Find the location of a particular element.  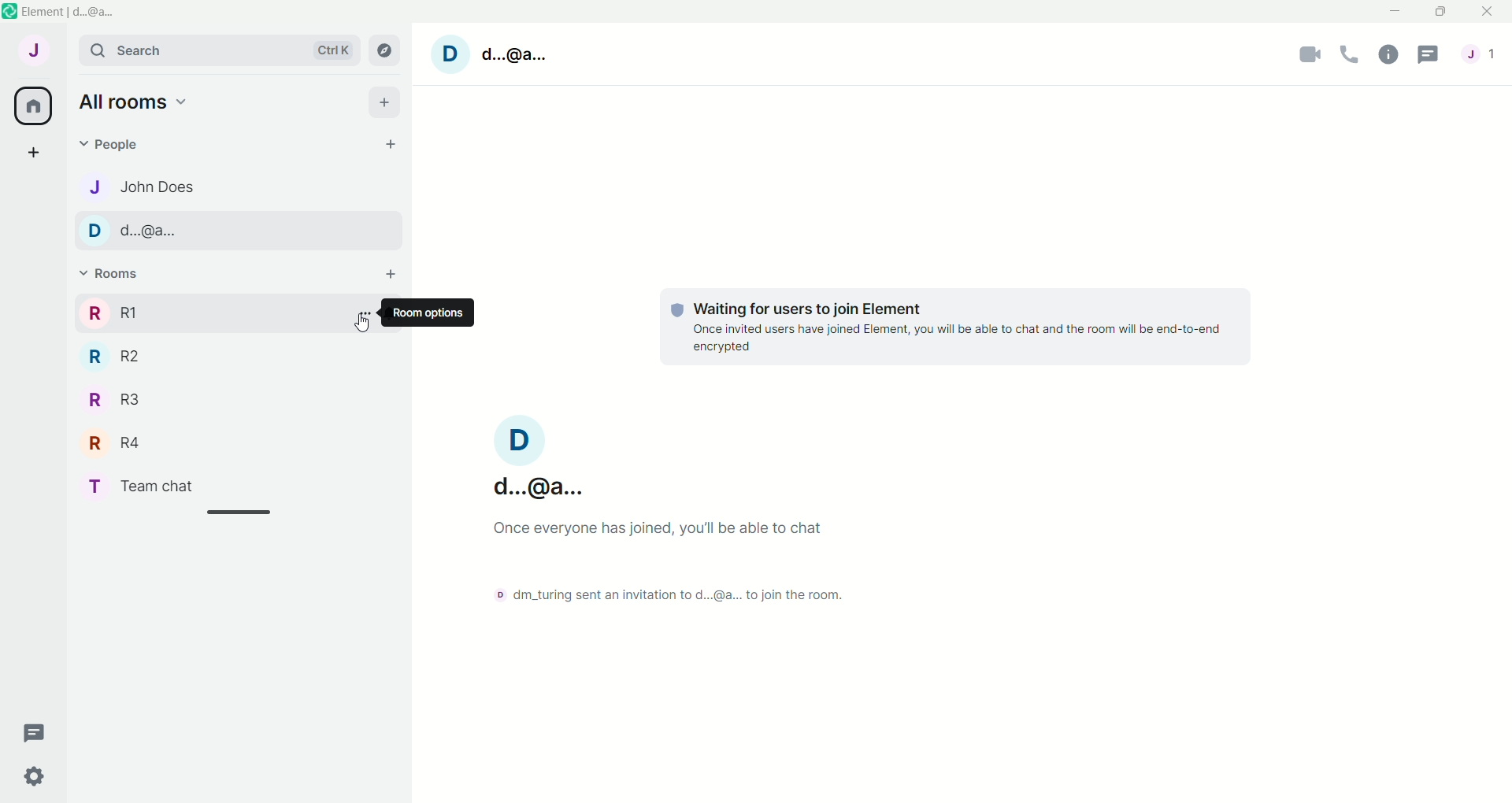

people is located at coordinates (111, 142).